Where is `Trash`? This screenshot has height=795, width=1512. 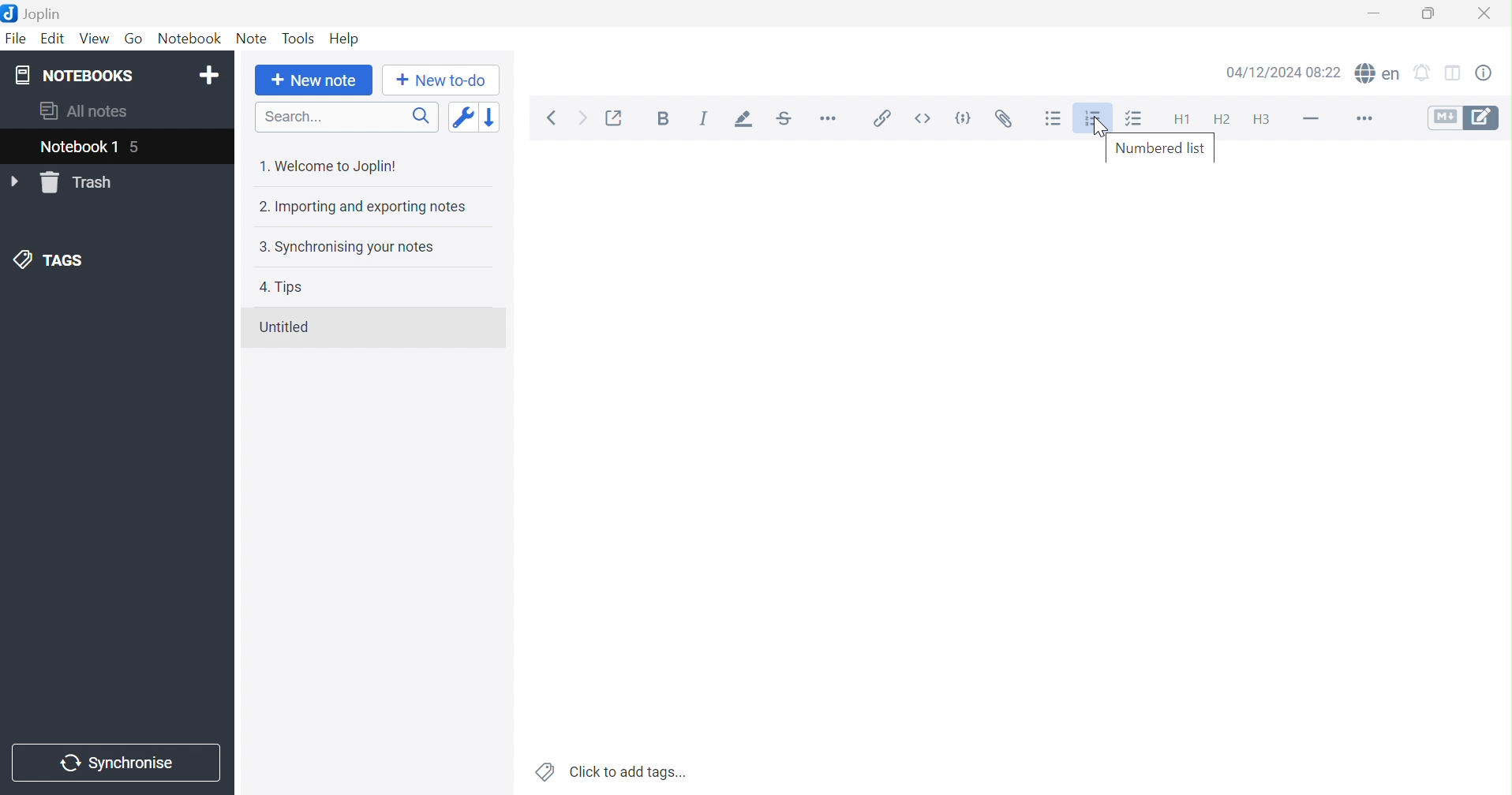
Trash is located at coordinates (80, 183).